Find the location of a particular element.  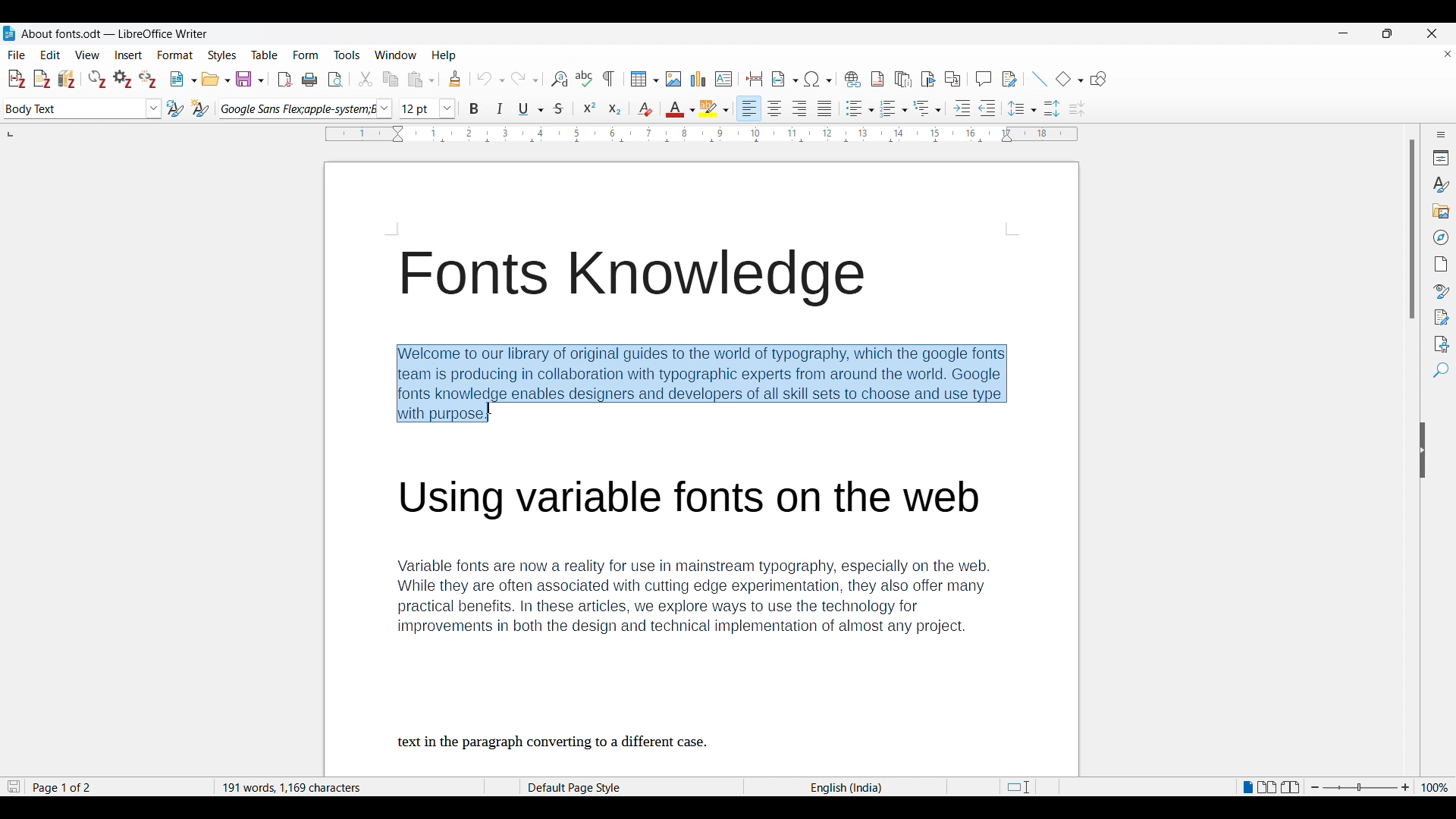

Insert endnote is located at coordinates (903, 79).